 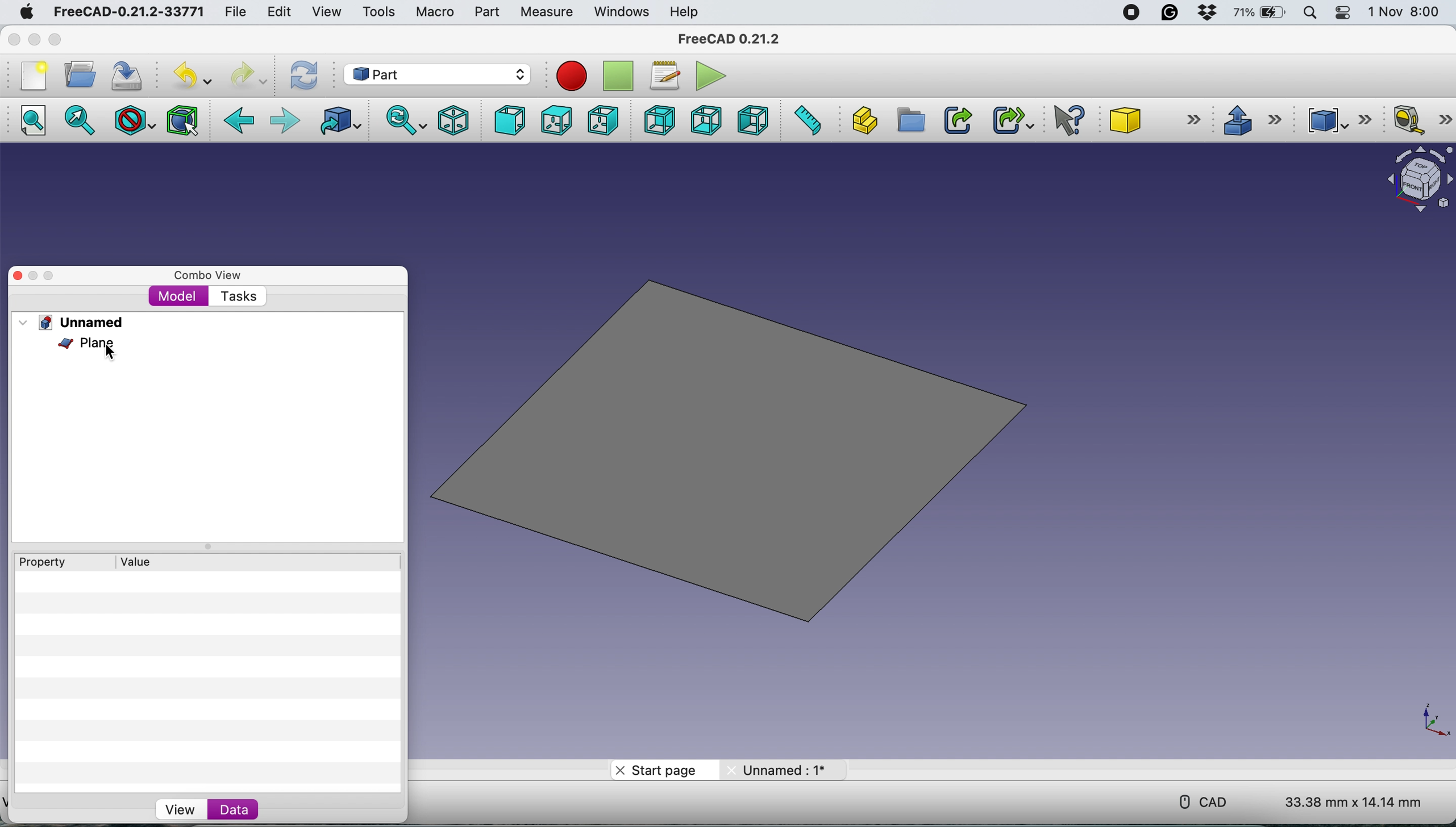 I want to click on fit selection, so click(x=78, y=124).